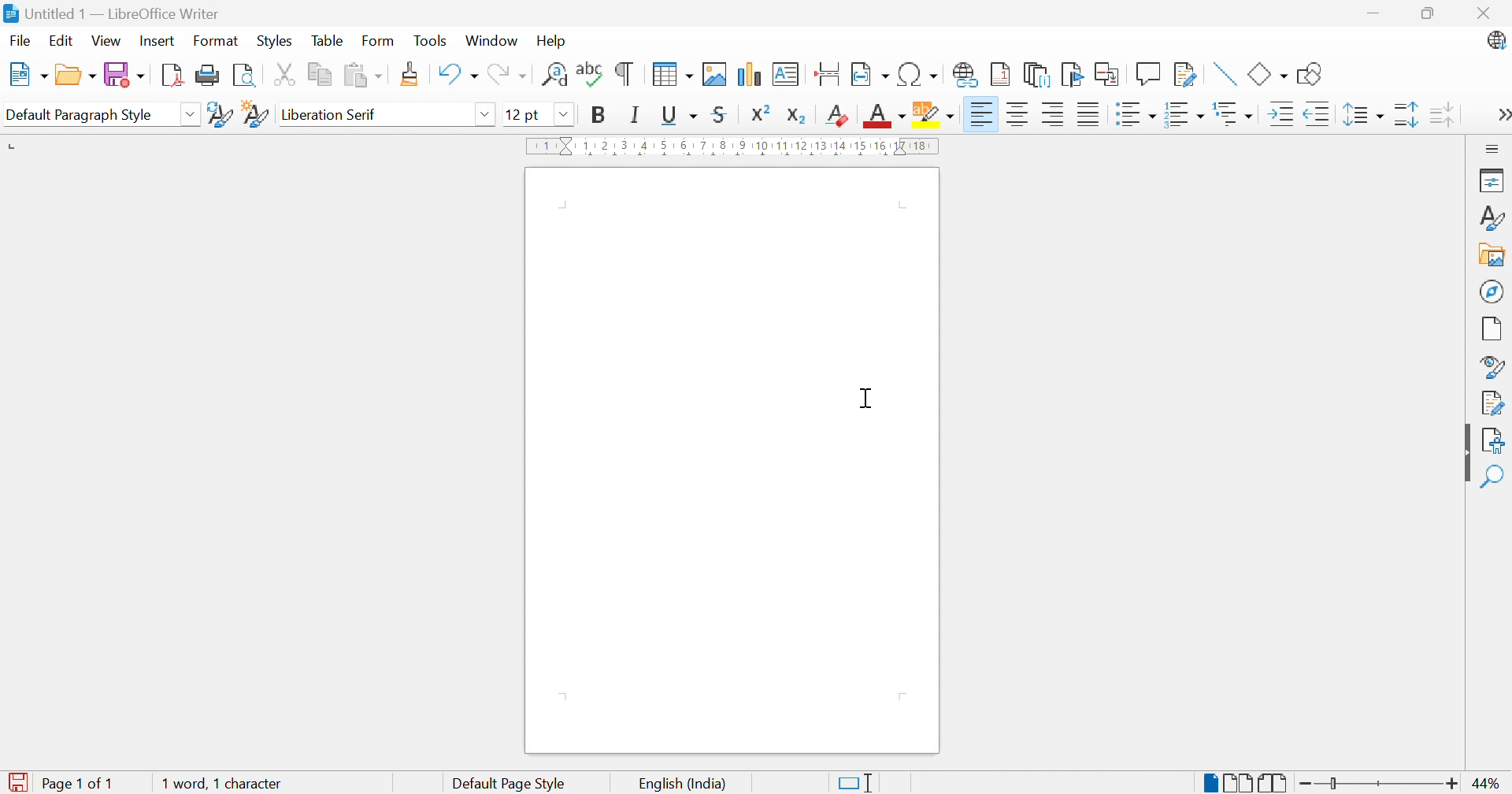 Image resolution: width=1512 pixels, height=794 pixels. Describe the element at coordinates (1488, 13) in the screenshot. I see `Close` at that location.